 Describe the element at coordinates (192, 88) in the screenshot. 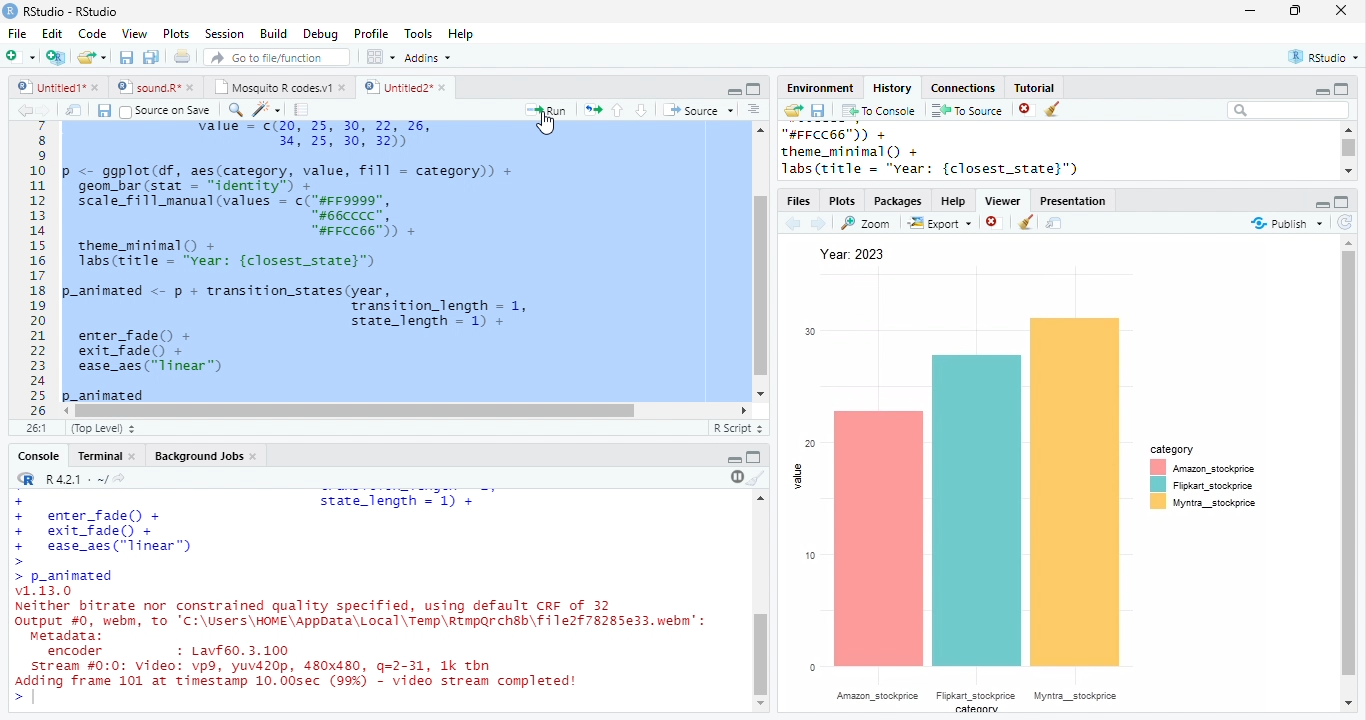

I see `close` at that location.